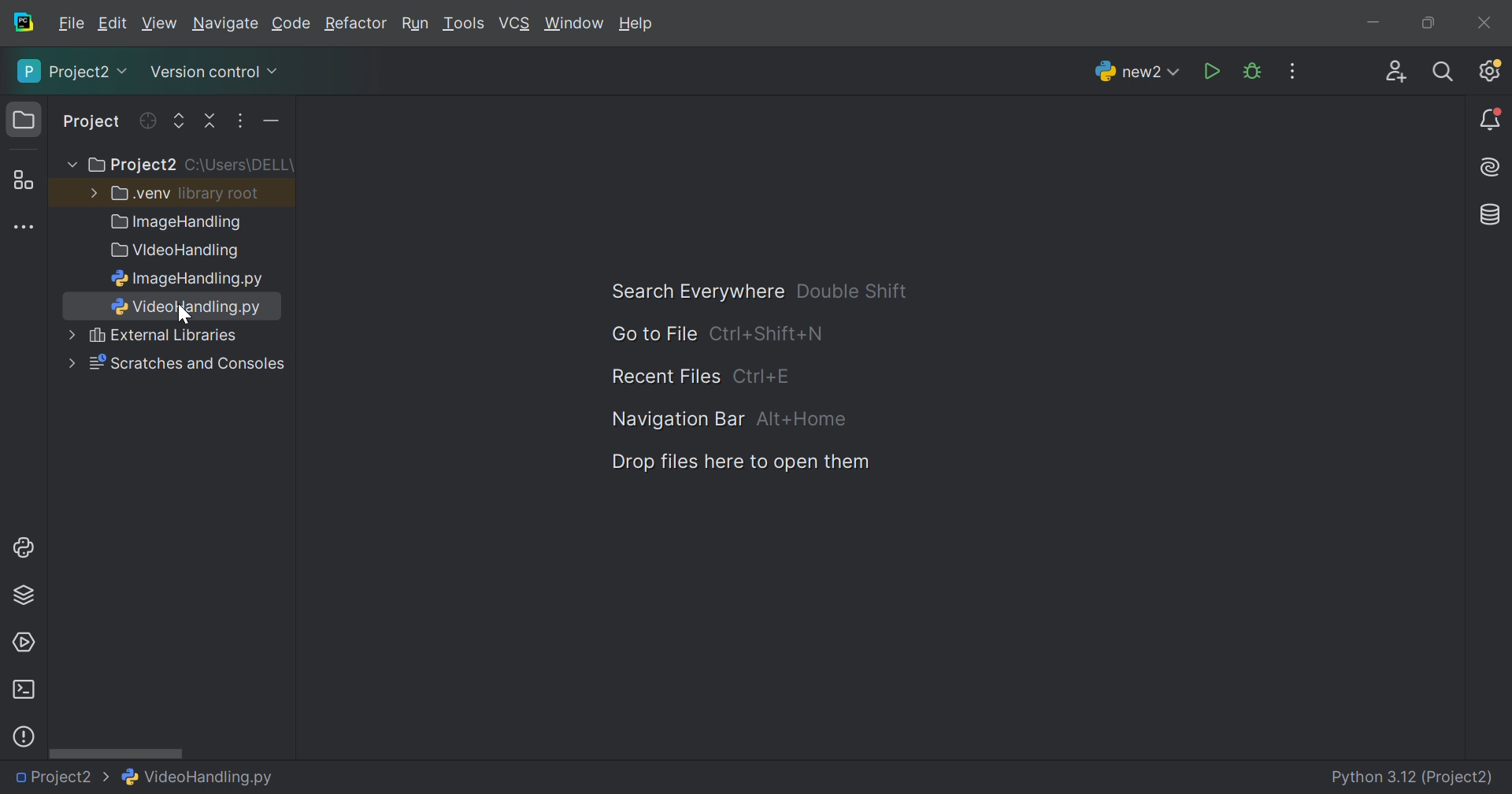 This screenshot has height=794, width=1512. Describe the element at coordinates (1427, 24) in the screenshot. I see `Restore down` at that location.